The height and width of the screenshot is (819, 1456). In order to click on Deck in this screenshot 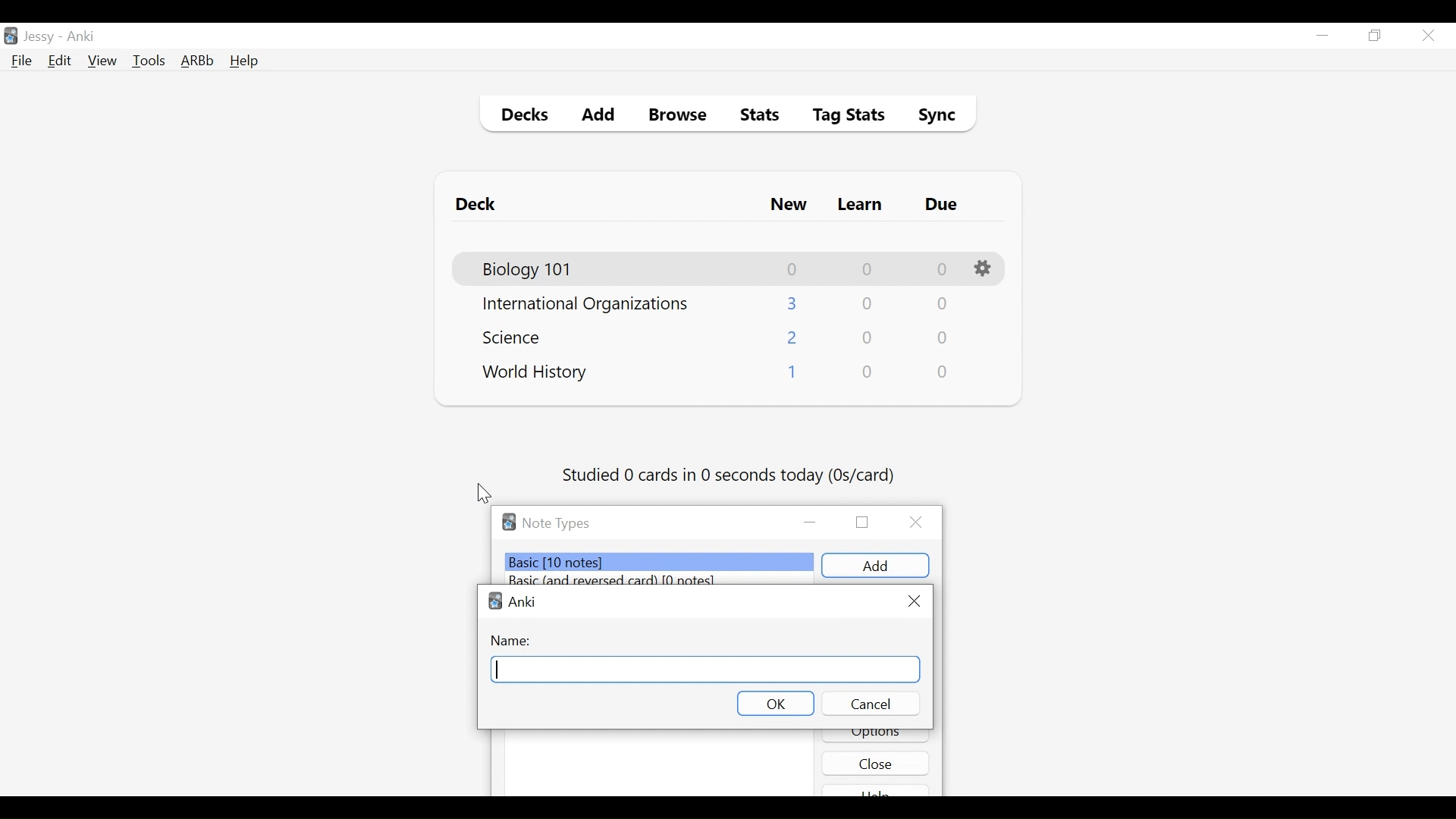, I will do `click(479, 205)`.